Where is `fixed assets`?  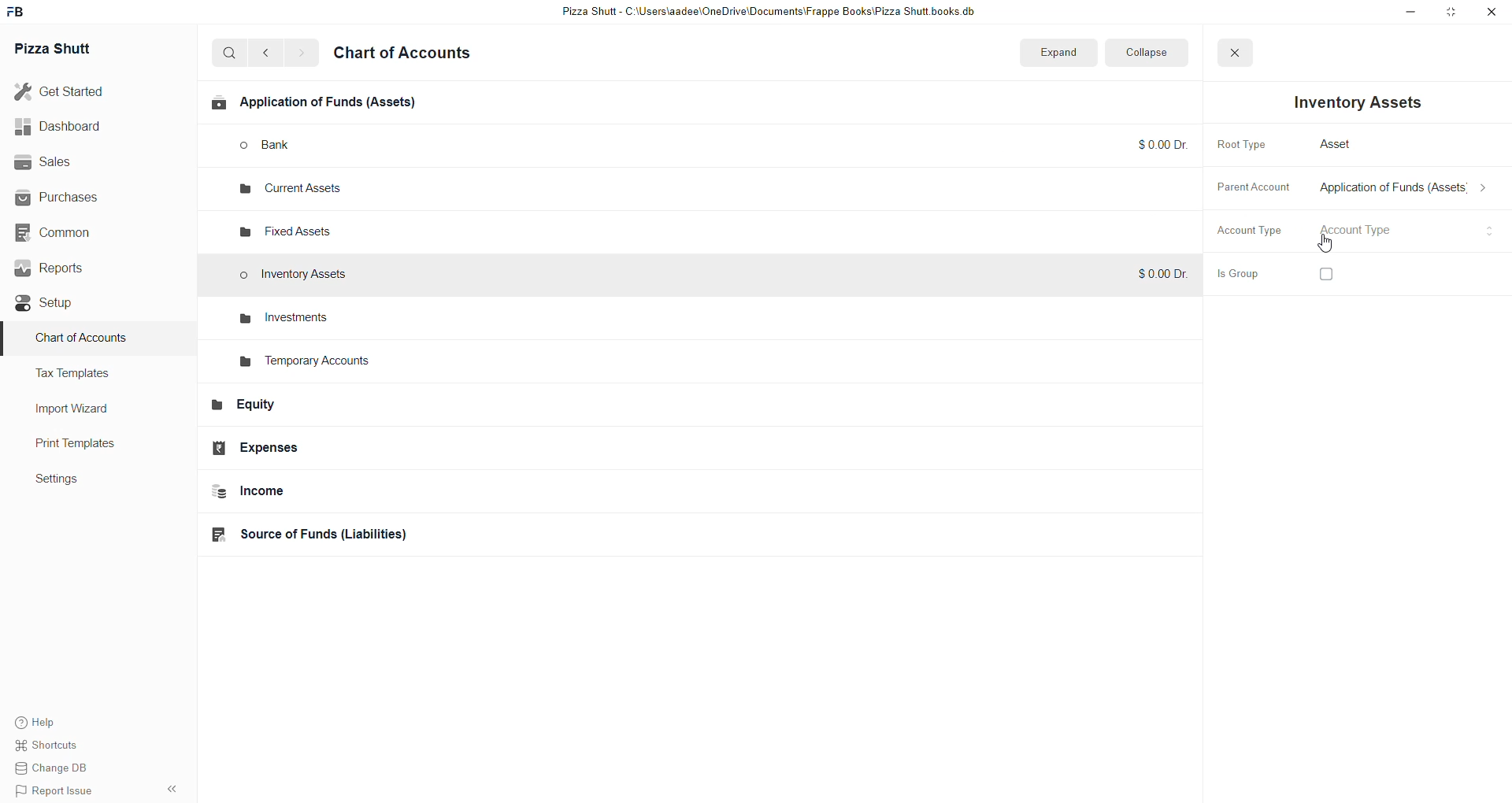 fixed assets is located at coordinates (291, 228).